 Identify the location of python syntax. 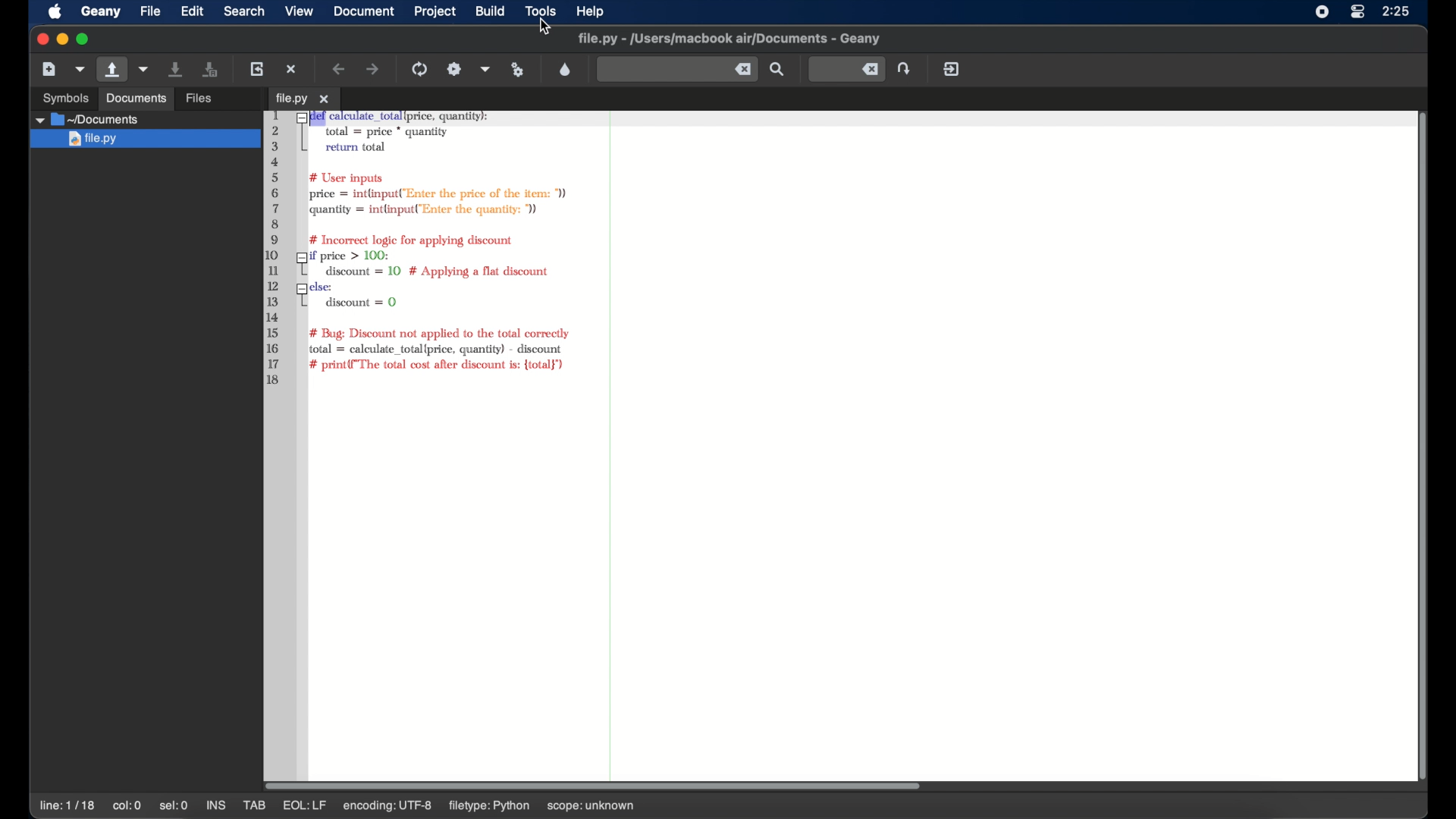
(422, 249).